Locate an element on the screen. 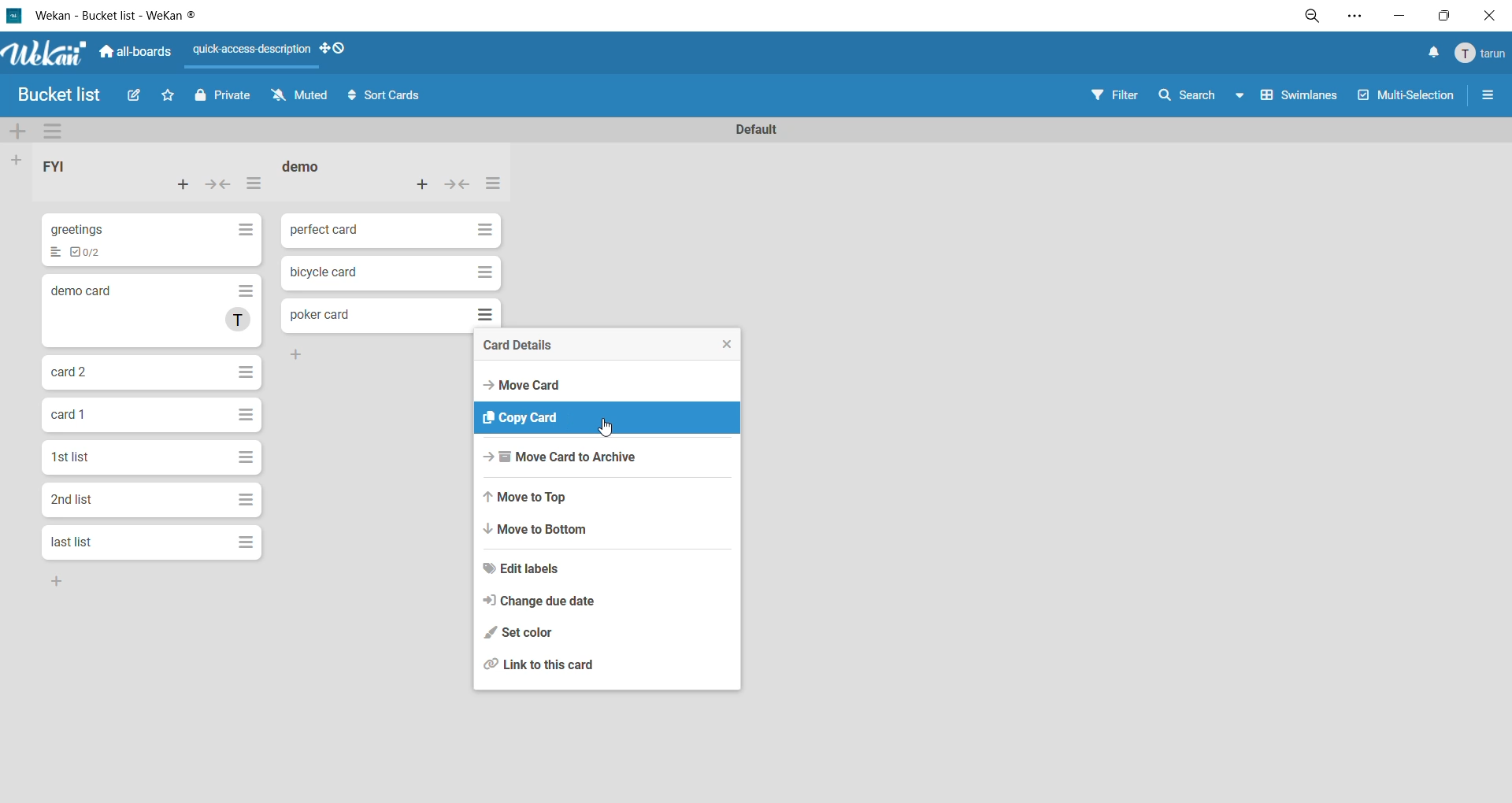 Image resolution: width=1512 pixels, height=803 pixels. multiselection is located at coordinates (1408, 96).